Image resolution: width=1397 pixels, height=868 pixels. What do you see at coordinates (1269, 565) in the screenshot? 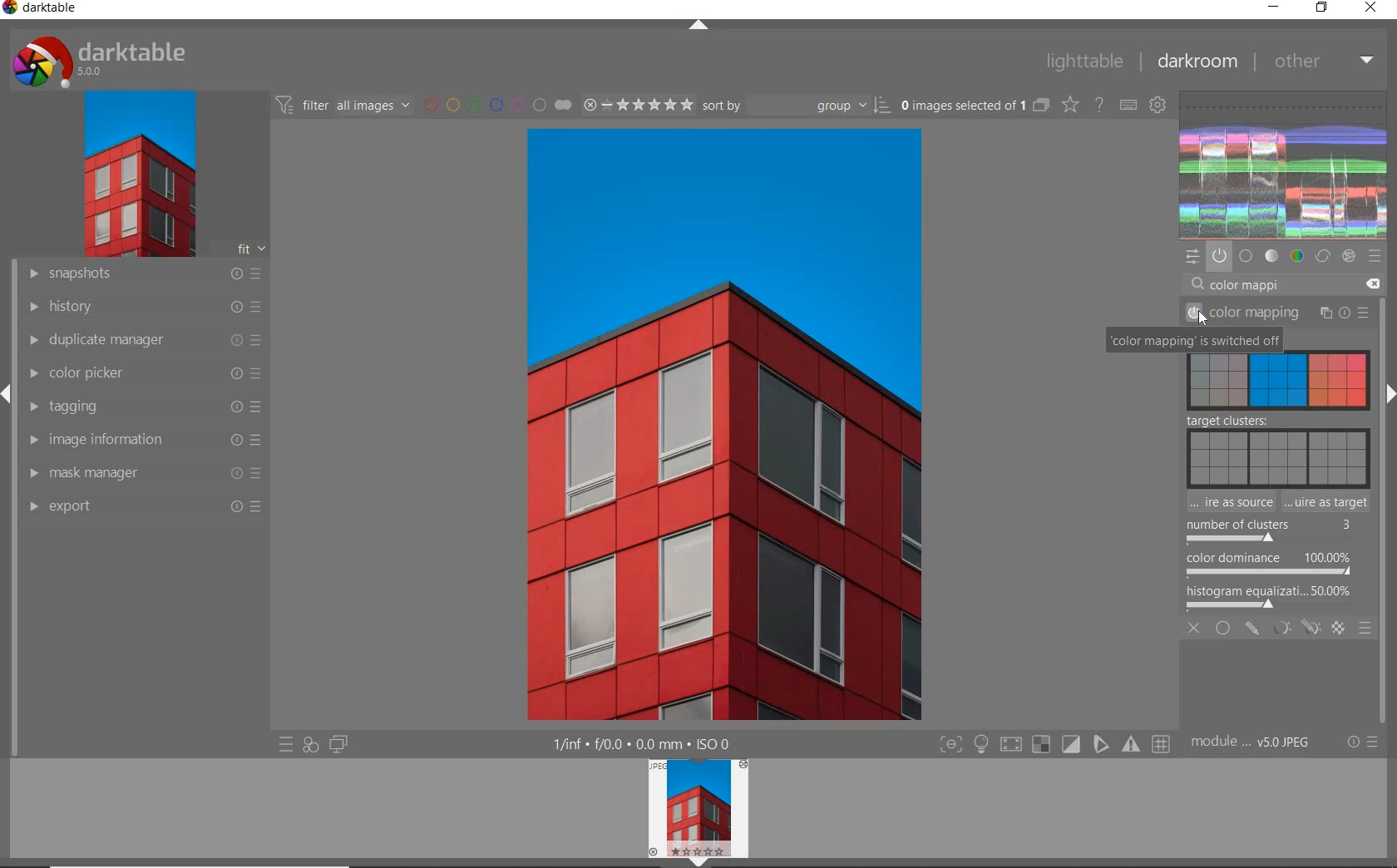
I see `COLOR DOMINANCE` at bounding box center [1269, 565].